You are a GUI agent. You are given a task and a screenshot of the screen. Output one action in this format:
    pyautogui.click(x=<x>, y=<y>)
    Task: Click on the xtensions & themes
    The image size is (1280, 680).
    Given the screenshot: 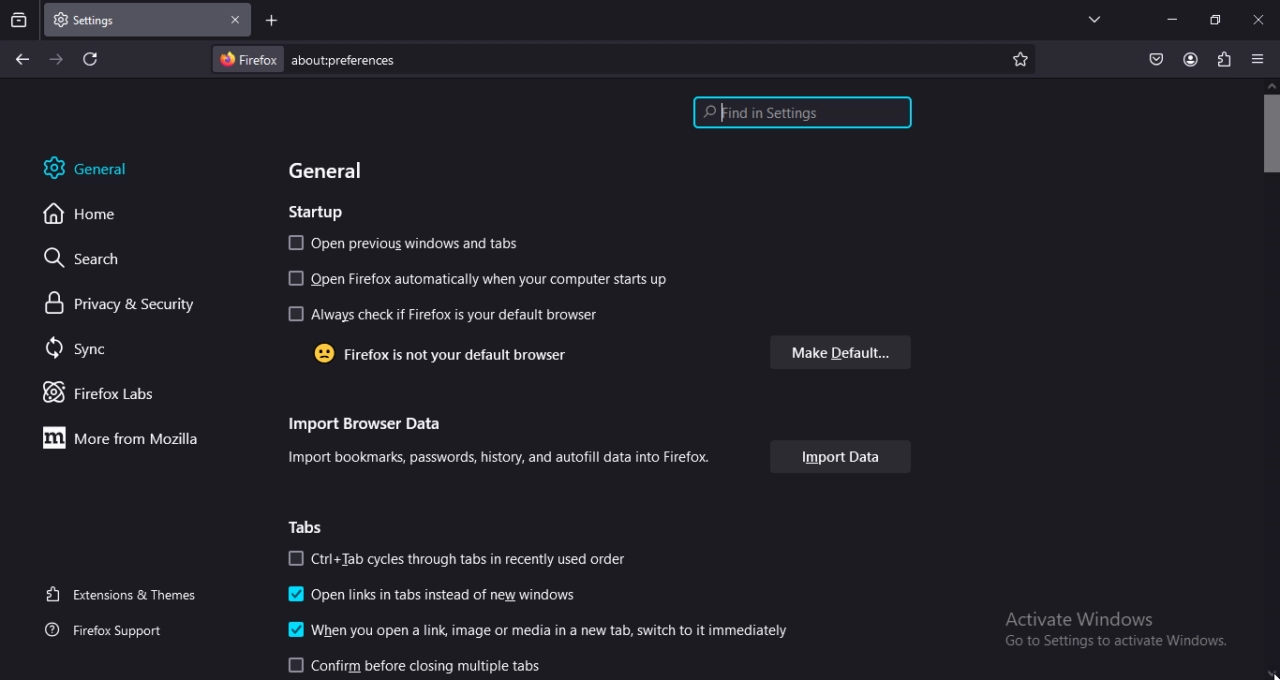 What is the action you would take?
    pyautogui.click(x=126, y=594)
    